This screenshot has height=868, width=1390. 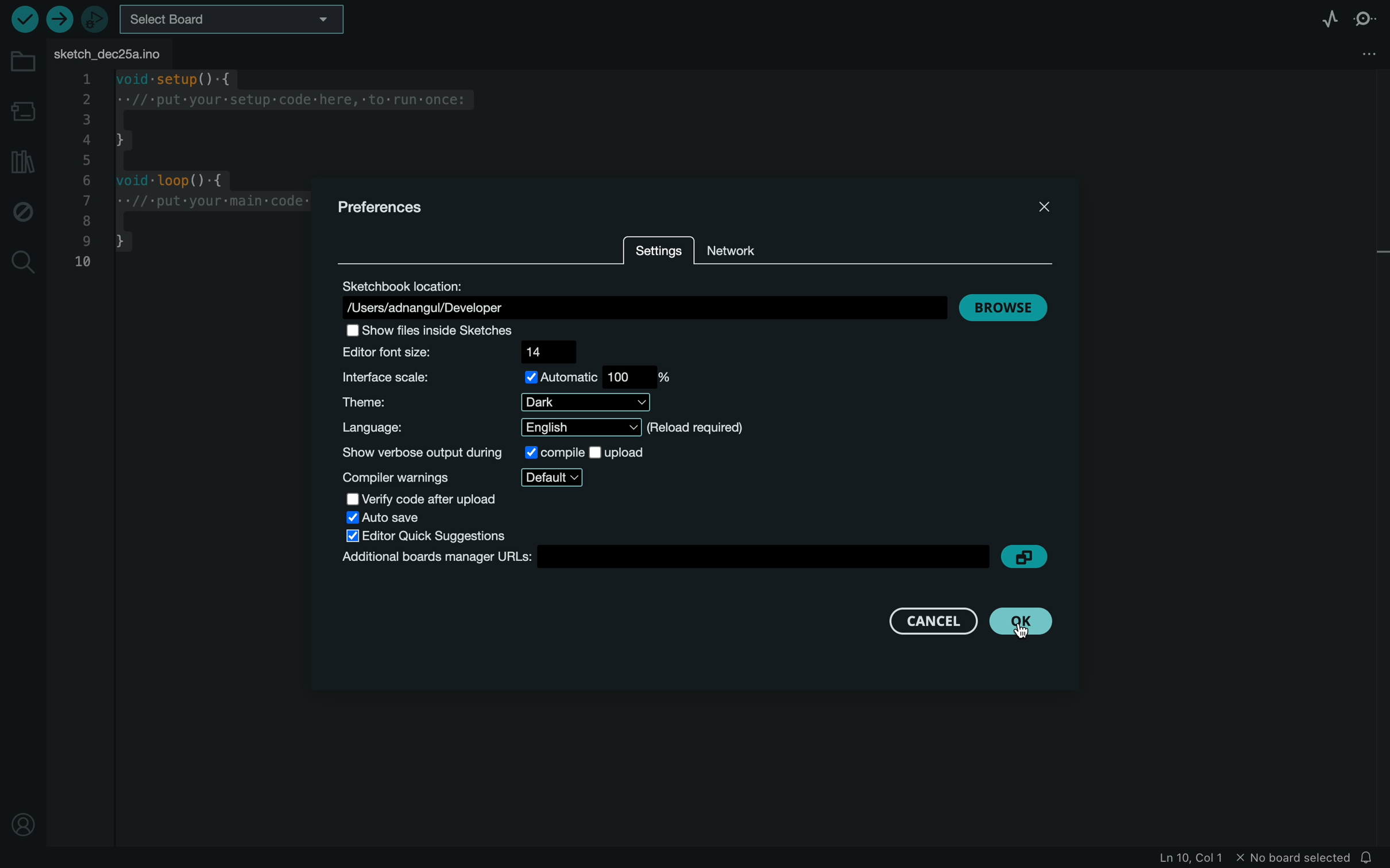 I want to click on network, so click(x=737, y=246).